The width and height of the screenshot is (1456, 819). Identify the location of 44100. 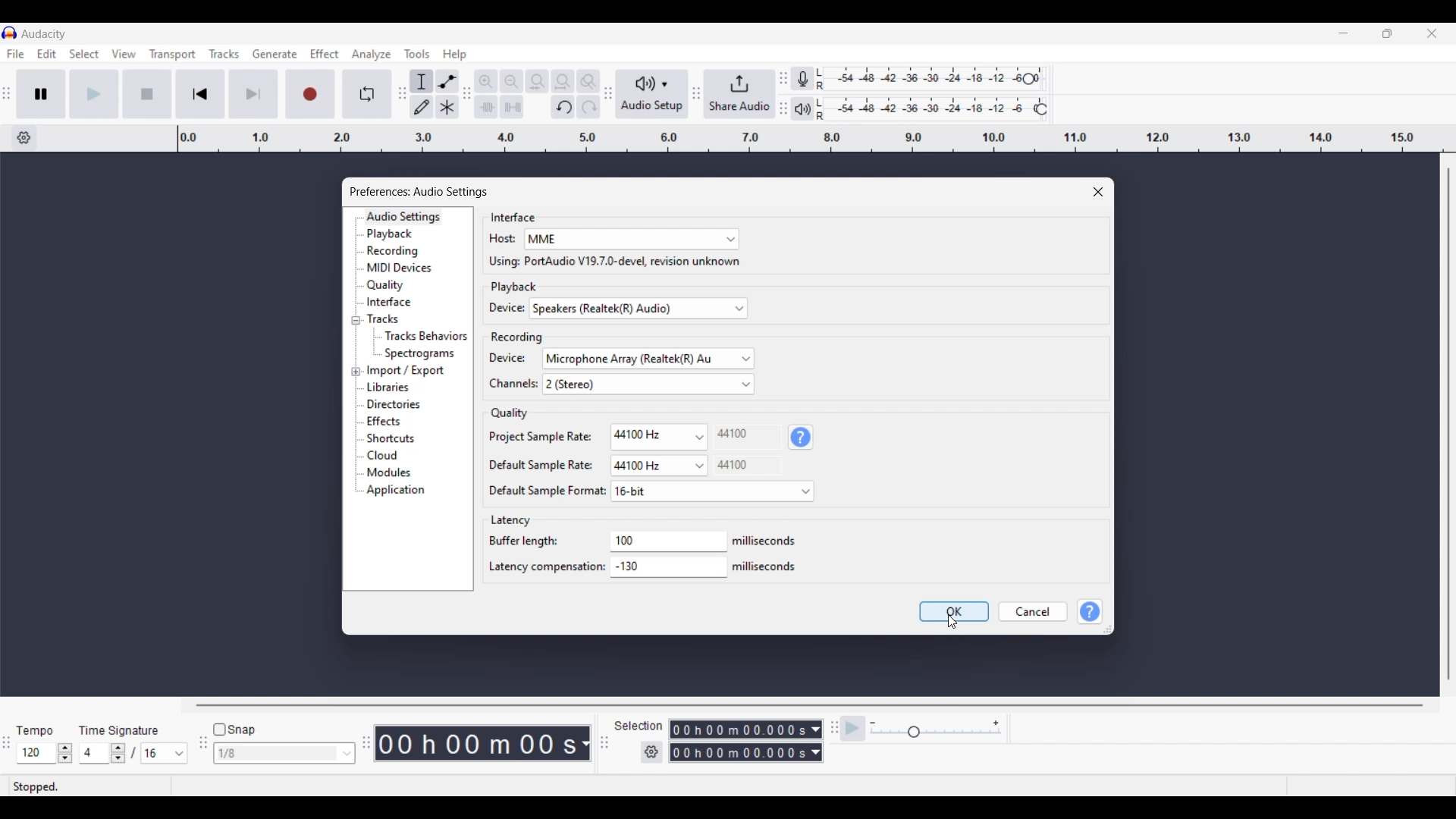
(732, 435).